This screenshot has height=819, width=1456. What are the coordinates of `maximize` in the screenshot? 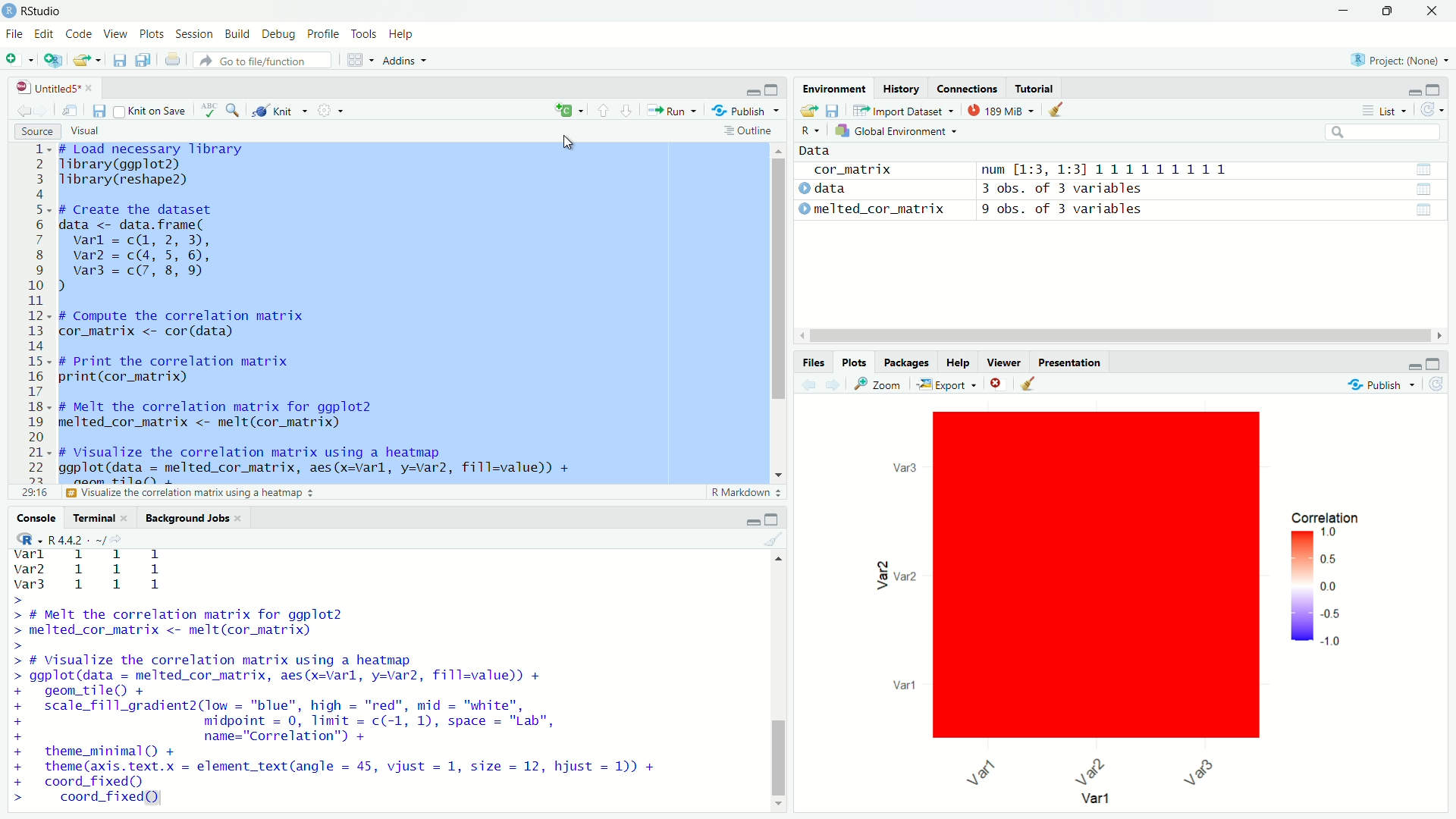 It's located at (773, 519).